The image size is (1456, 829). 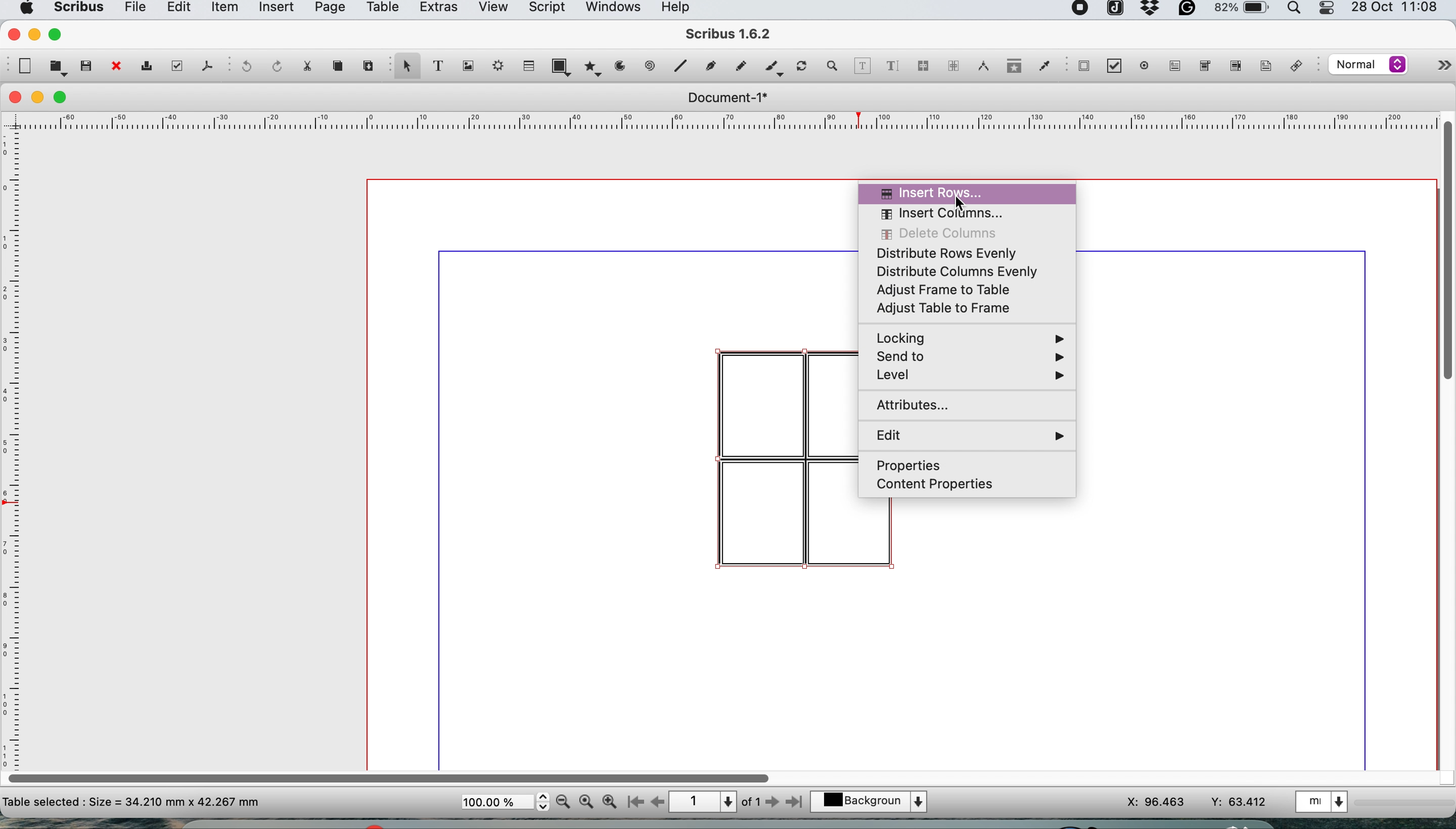 I want to click on arc, so click(x=624, y=66).